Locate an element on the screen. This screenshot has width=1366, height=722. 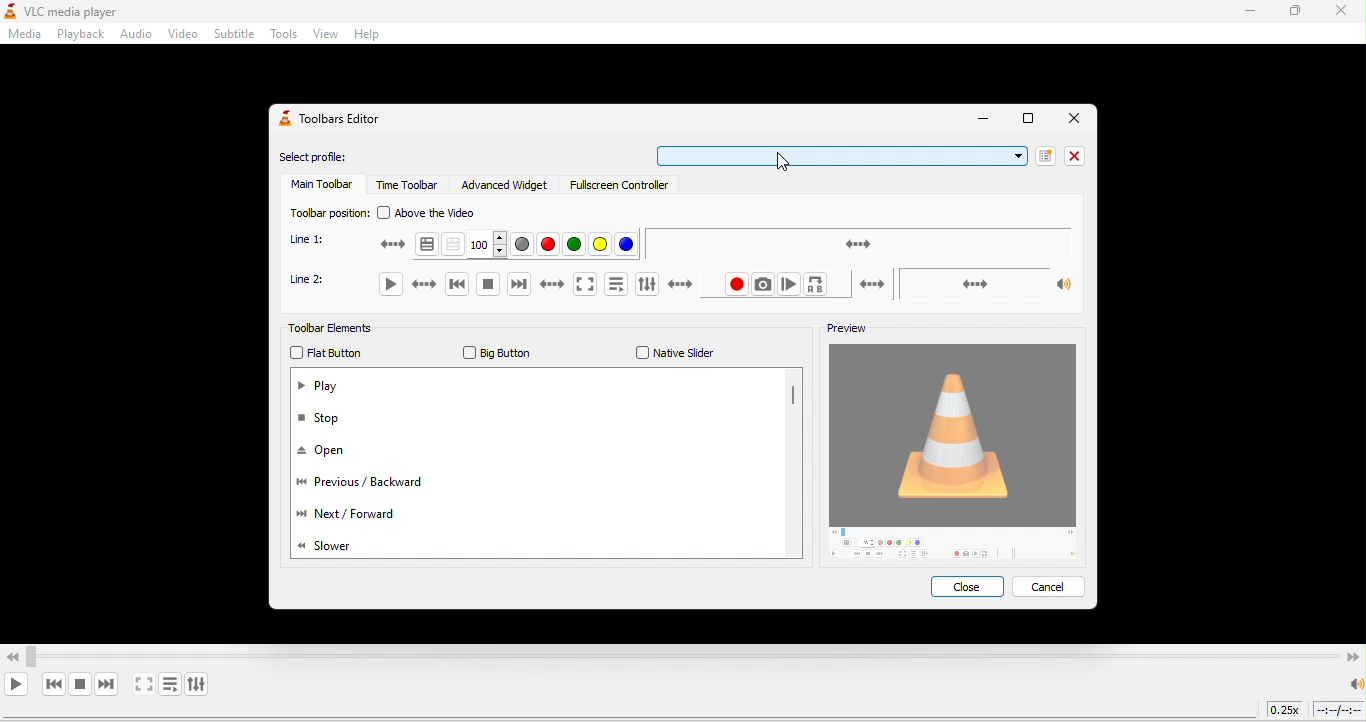
minimize is located at coordinates (1248, 12).